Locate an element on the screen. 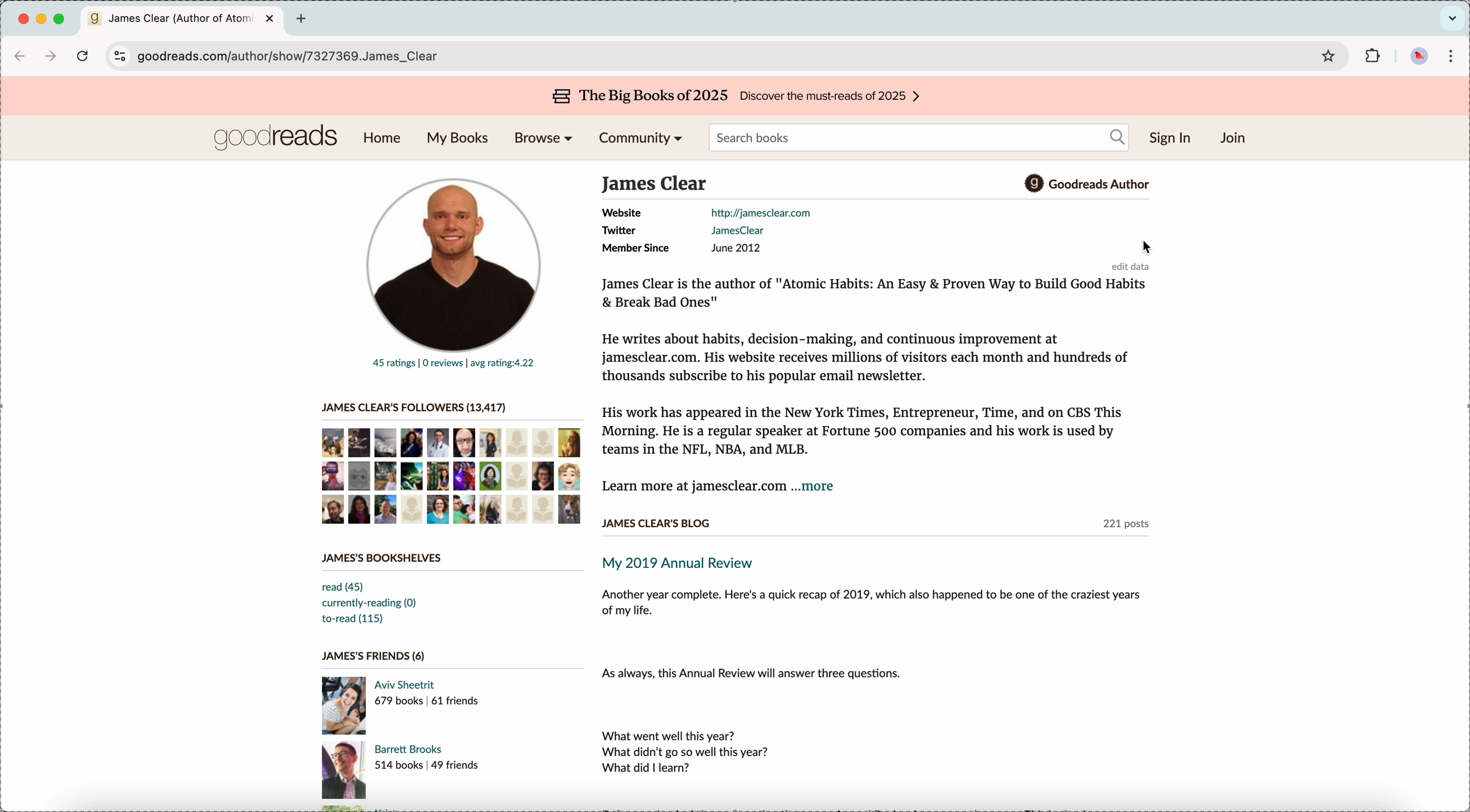 The height and width of the screenshot is (812, 1470). My 2019 annual review is located at coordinates (685, 563).